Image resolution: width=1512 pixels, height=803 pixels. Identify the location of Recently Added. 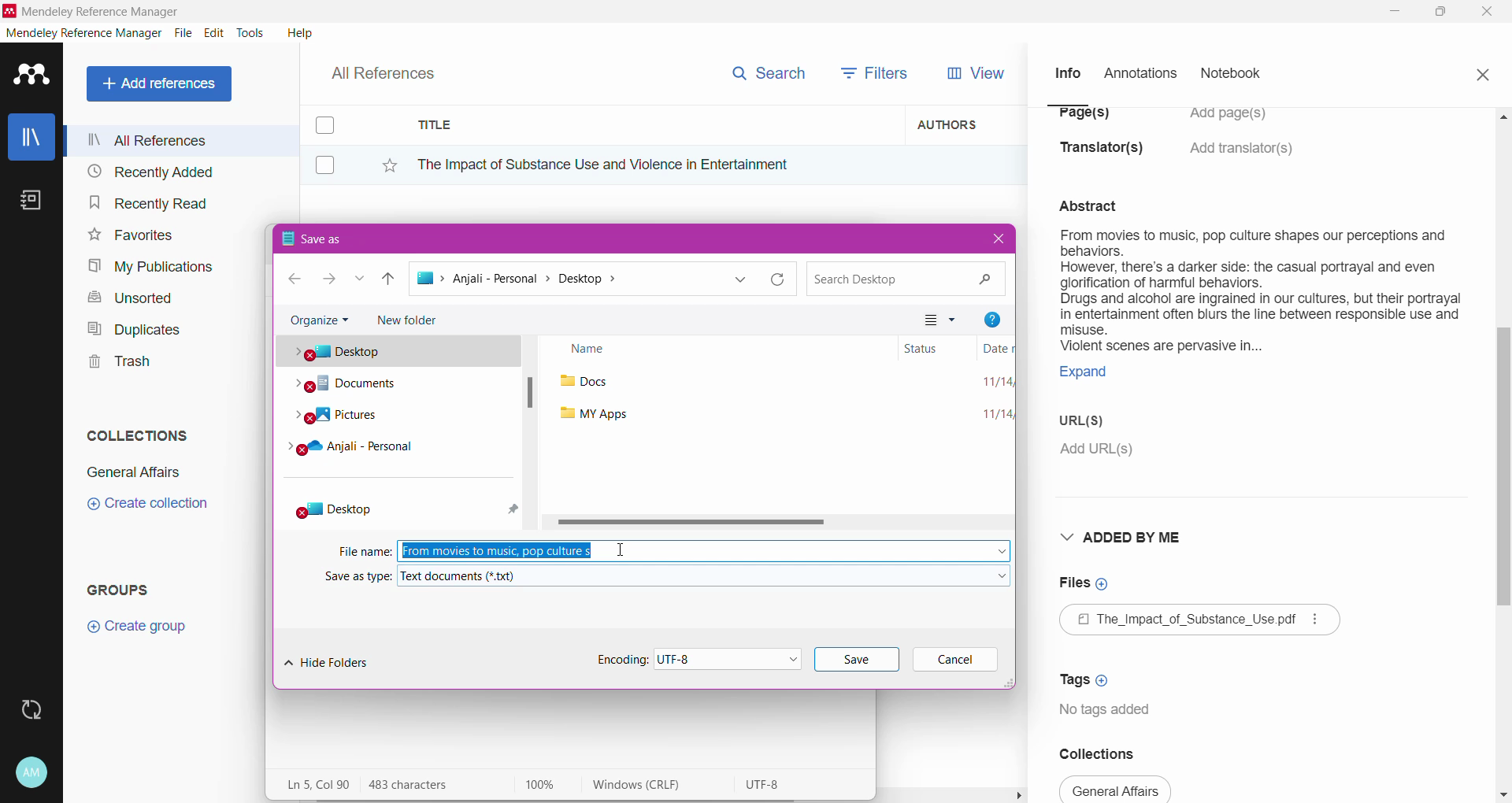
(148, 172).